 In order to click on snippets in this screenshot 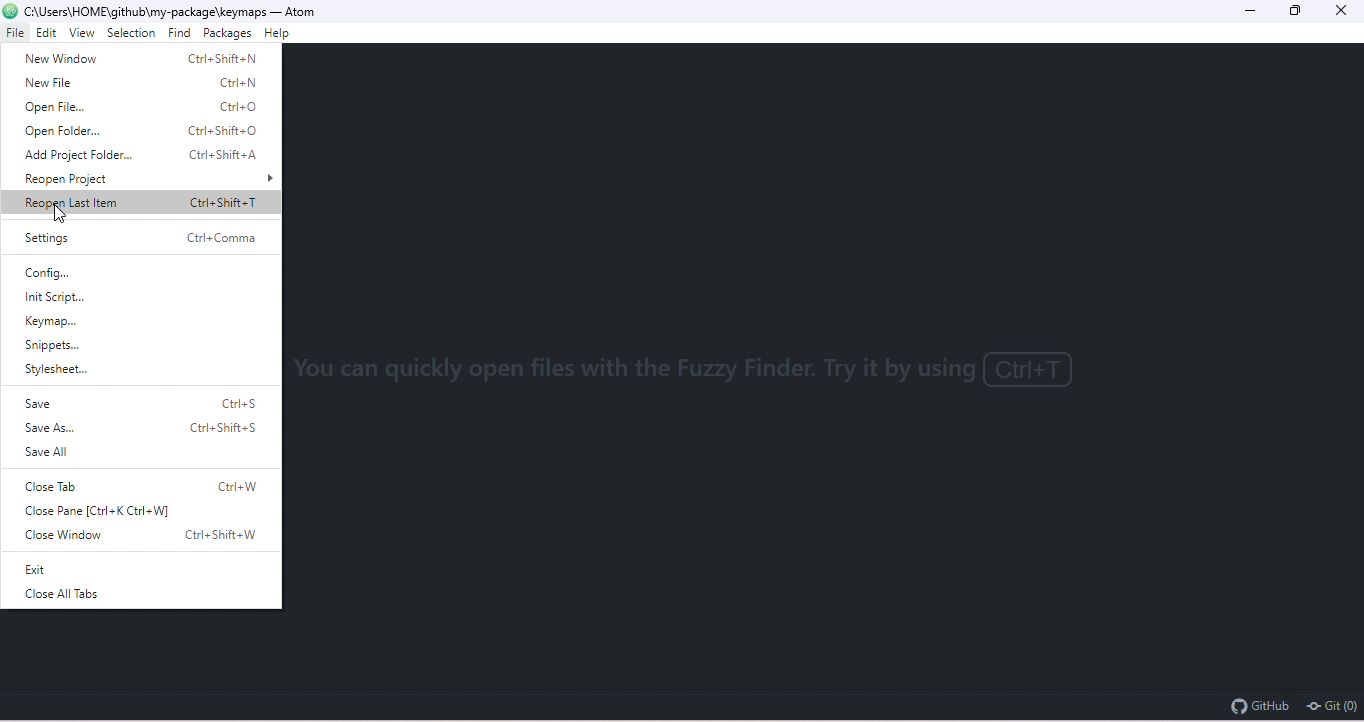, I will do `click(139, 347)`.